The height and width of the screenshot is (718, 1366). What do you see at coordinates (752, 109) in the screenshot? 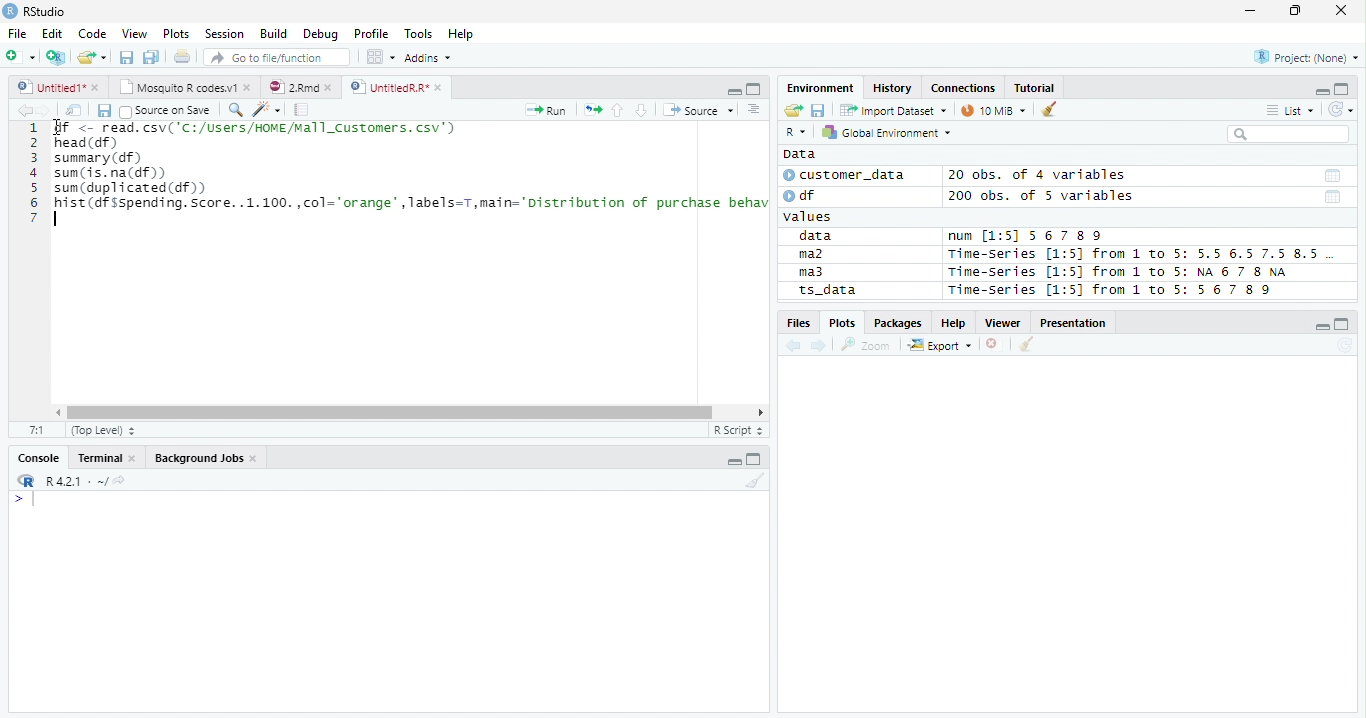
I see `Show document outline` at bounding box center [752, 109].